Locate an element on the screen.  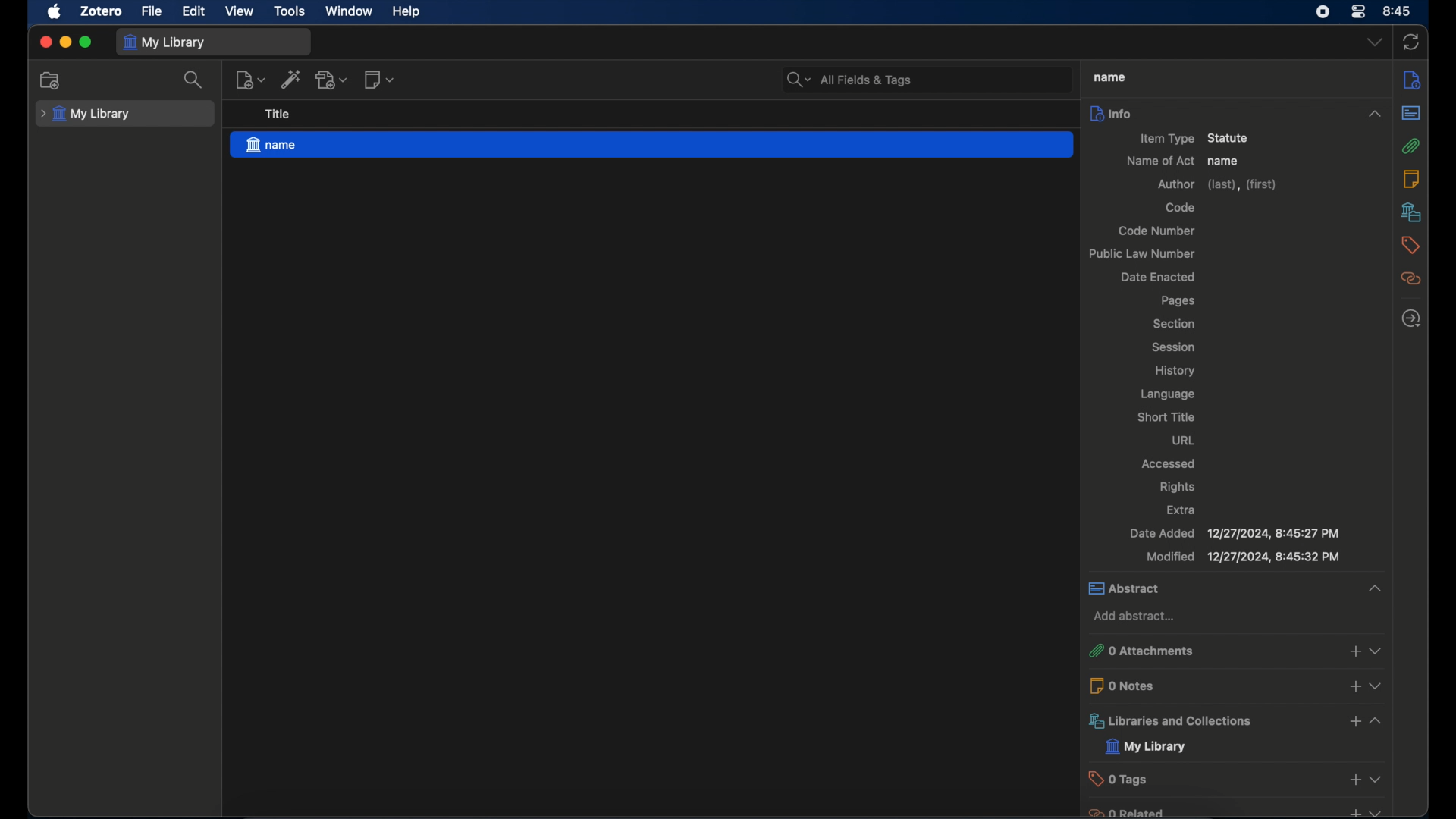
name is located at coordinates (1109, 77).